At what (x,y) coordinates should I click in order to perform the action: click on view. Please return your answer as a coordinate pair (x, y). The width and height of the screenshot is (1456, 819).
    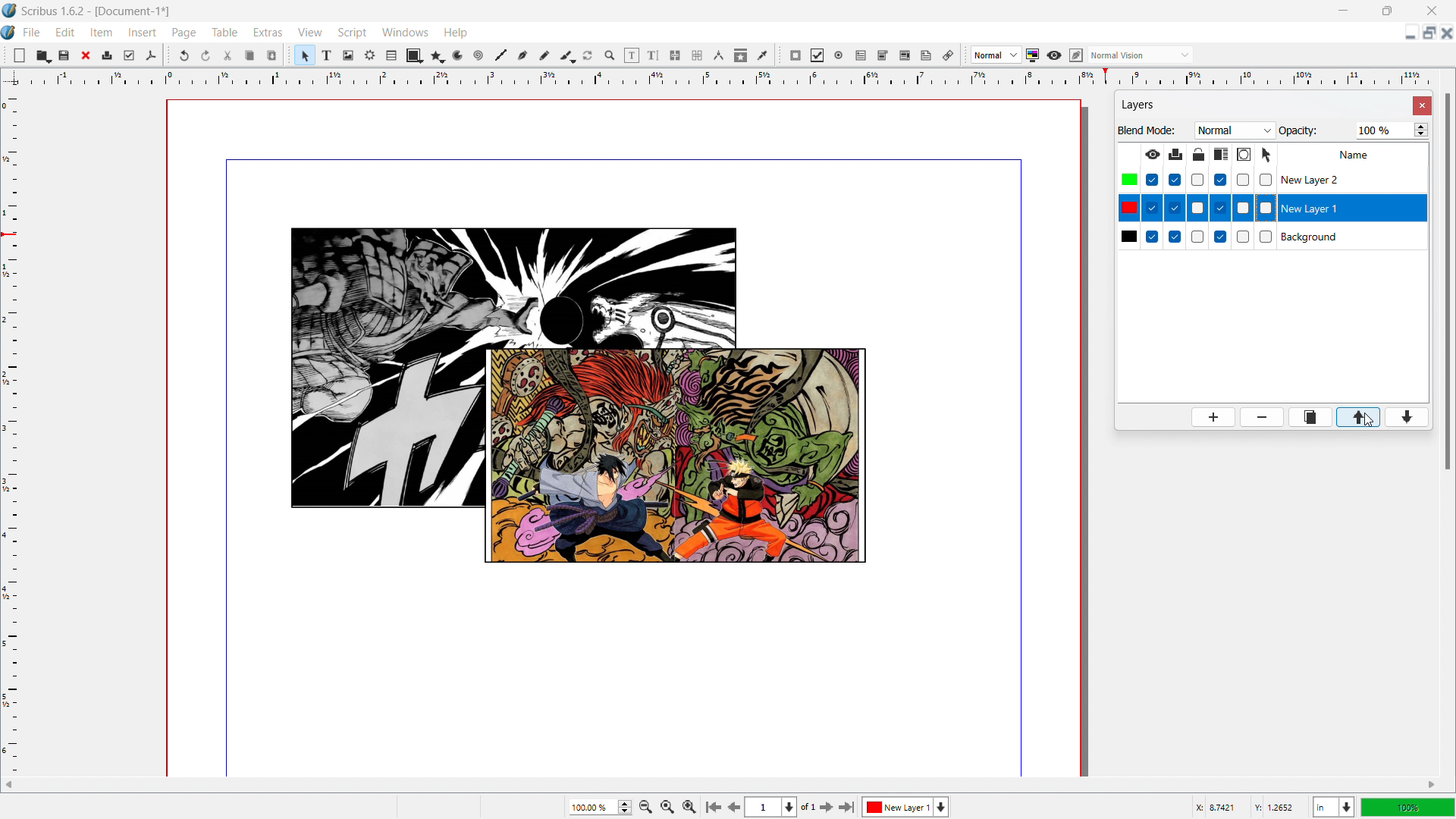
    Looking at the image, I should click on (309, 32).